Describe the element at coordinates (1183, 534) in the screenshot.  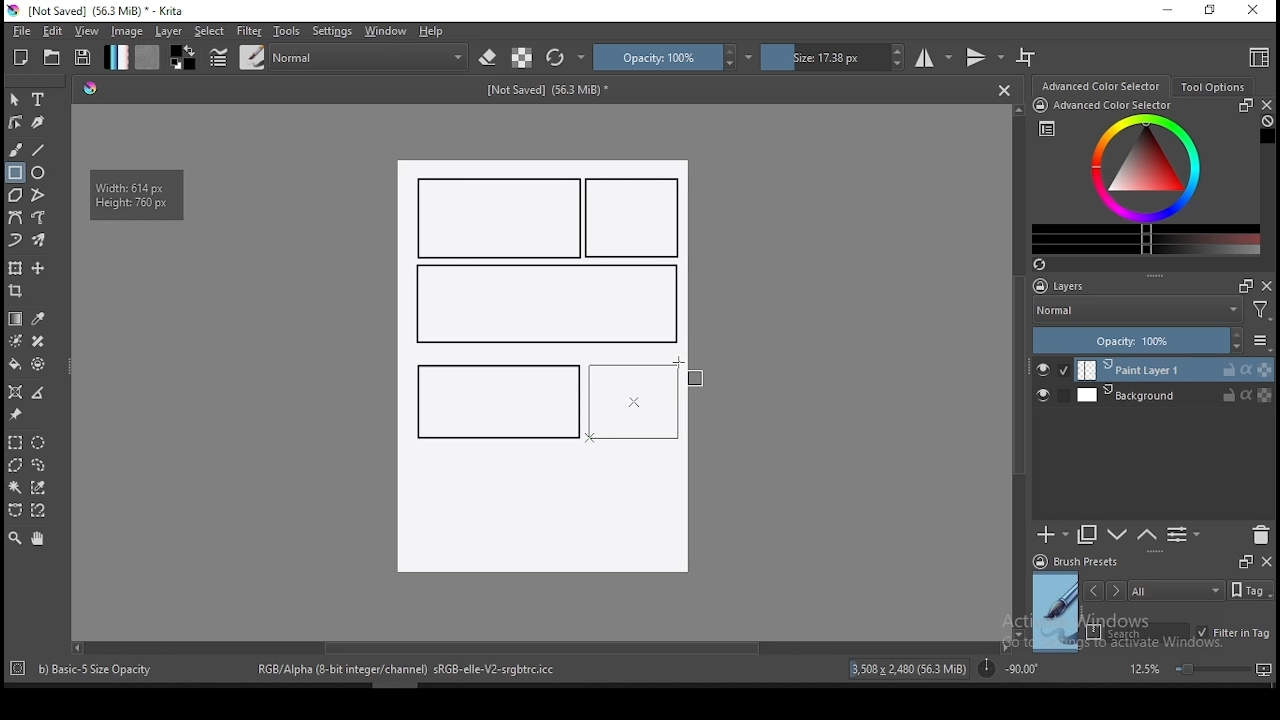
I see `view or change layer properties` at that location.